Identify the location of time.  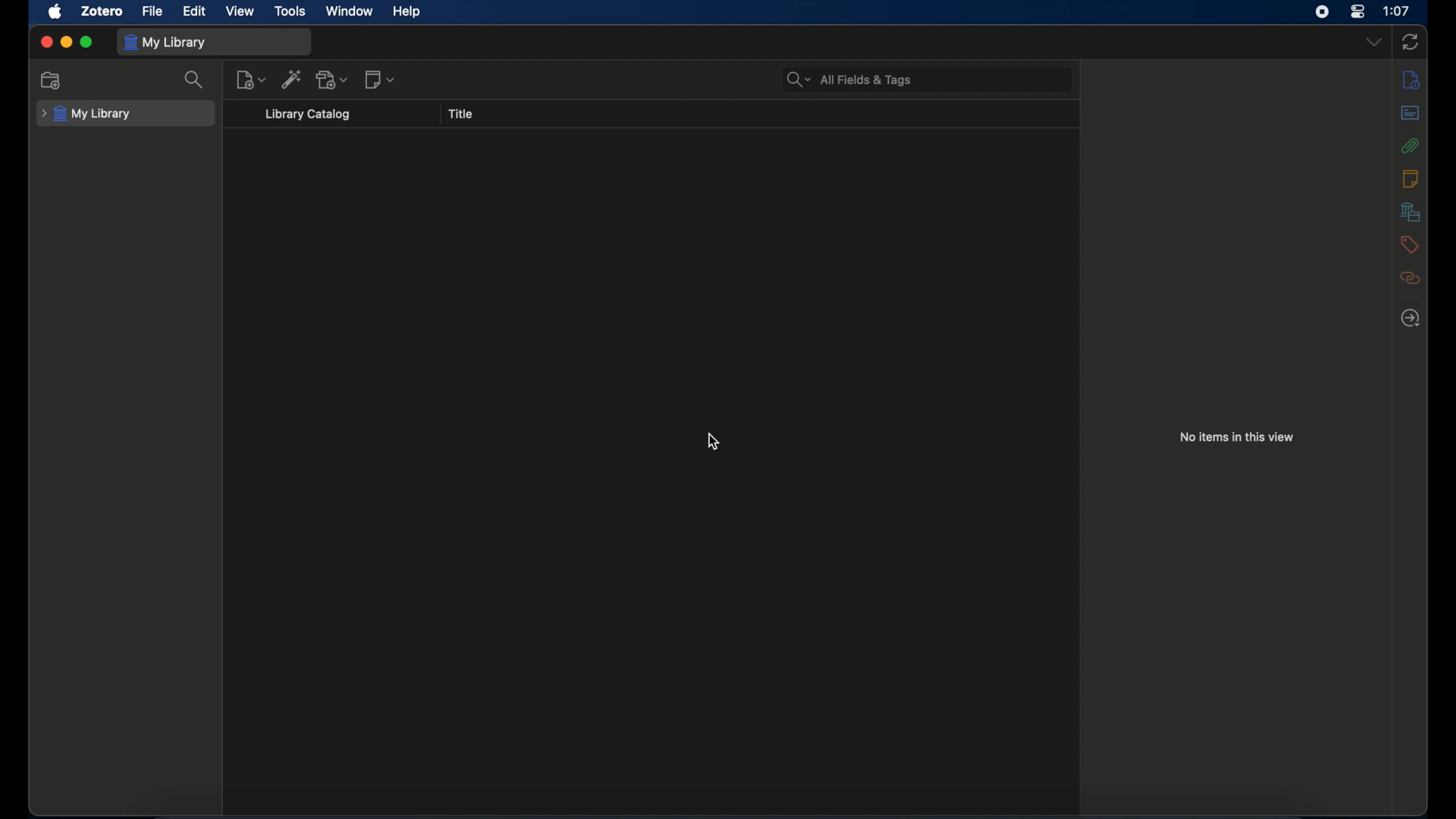
(1397, 11).